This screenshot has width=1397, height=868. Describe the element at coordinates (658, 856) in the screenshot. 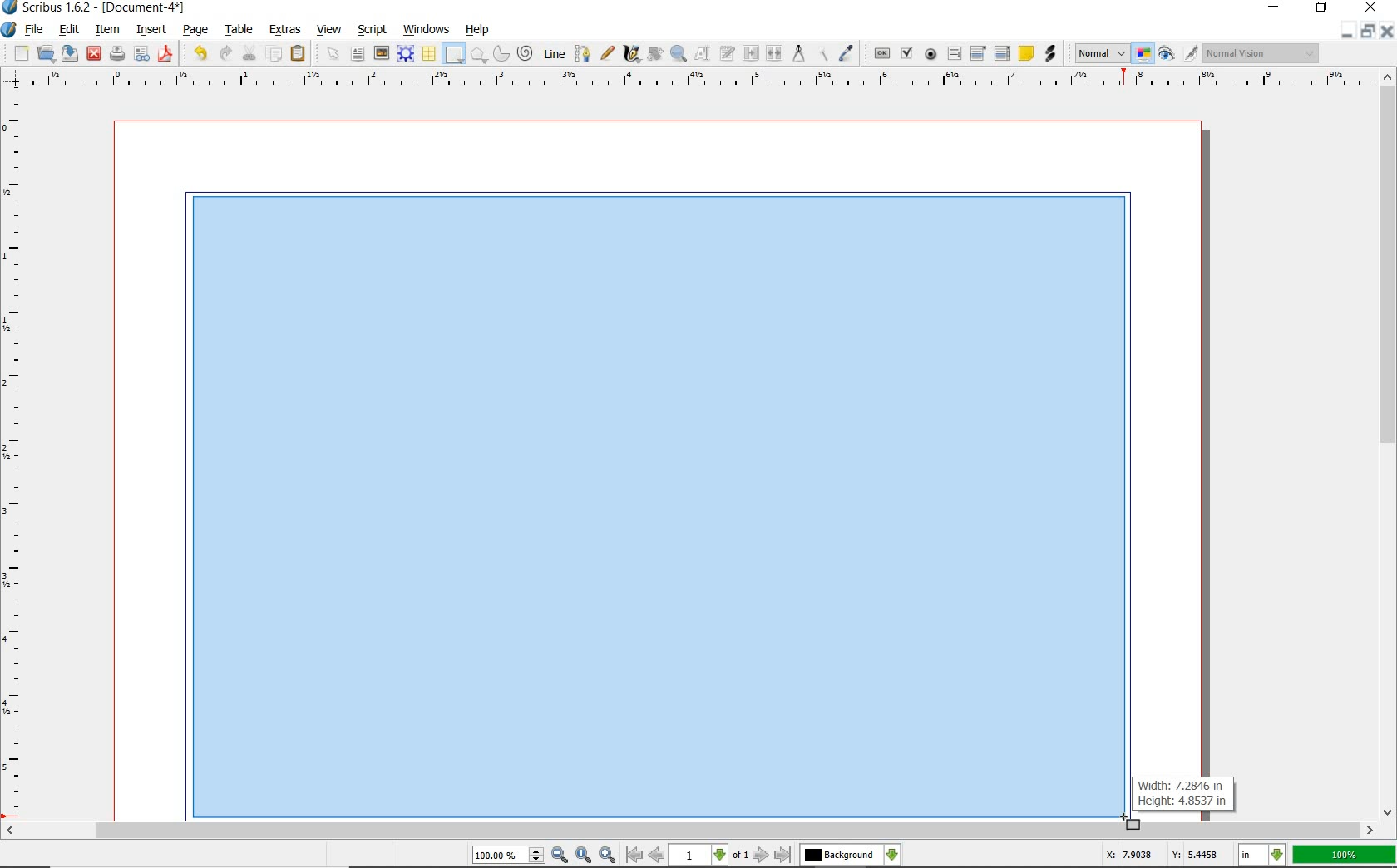

I see `go to previous page` at that location.